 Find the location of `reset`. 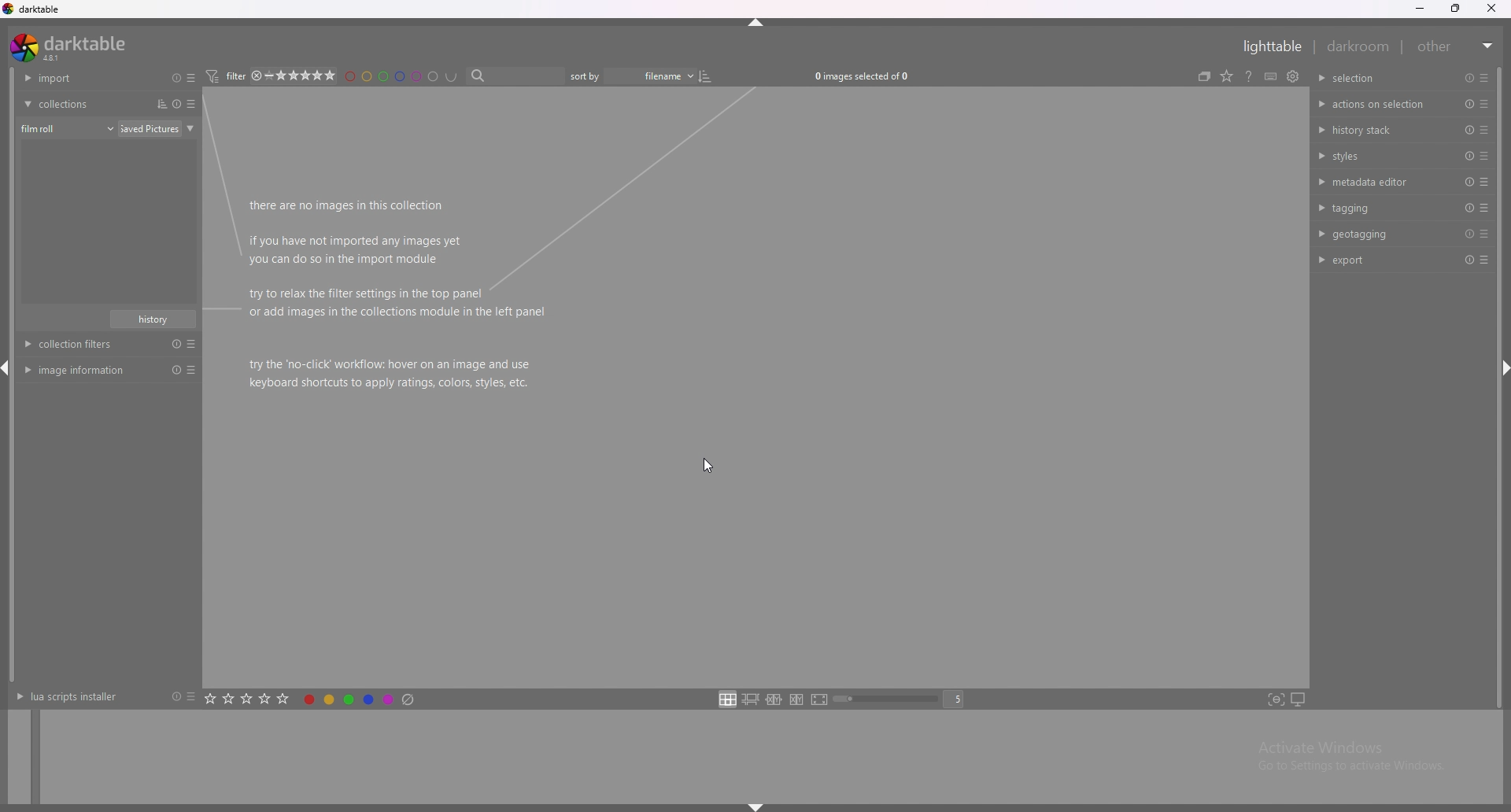

reset is located at coordinates (173, 697).